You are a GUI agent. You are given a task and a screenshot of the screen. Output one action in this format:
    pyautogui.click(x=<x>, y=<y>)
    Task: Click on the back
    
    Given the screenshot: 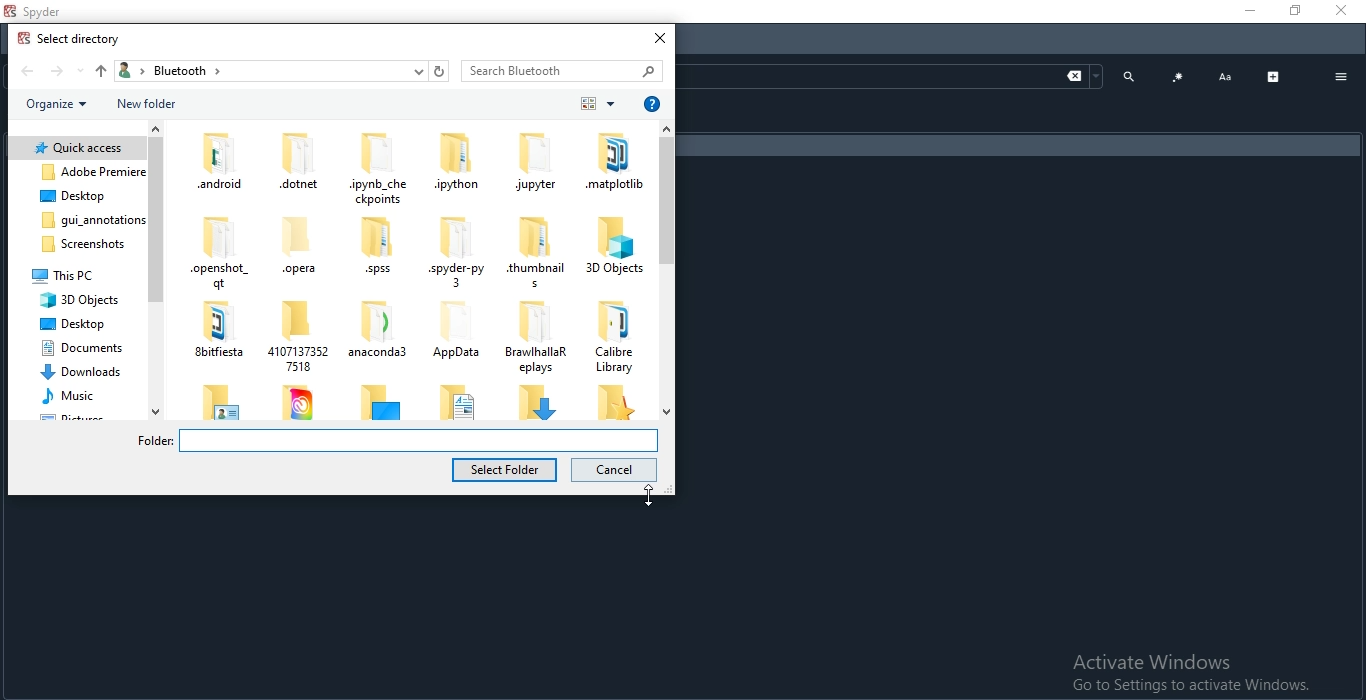 What is the action you would take?
    pyautogui.click(x=28, y=72)
    